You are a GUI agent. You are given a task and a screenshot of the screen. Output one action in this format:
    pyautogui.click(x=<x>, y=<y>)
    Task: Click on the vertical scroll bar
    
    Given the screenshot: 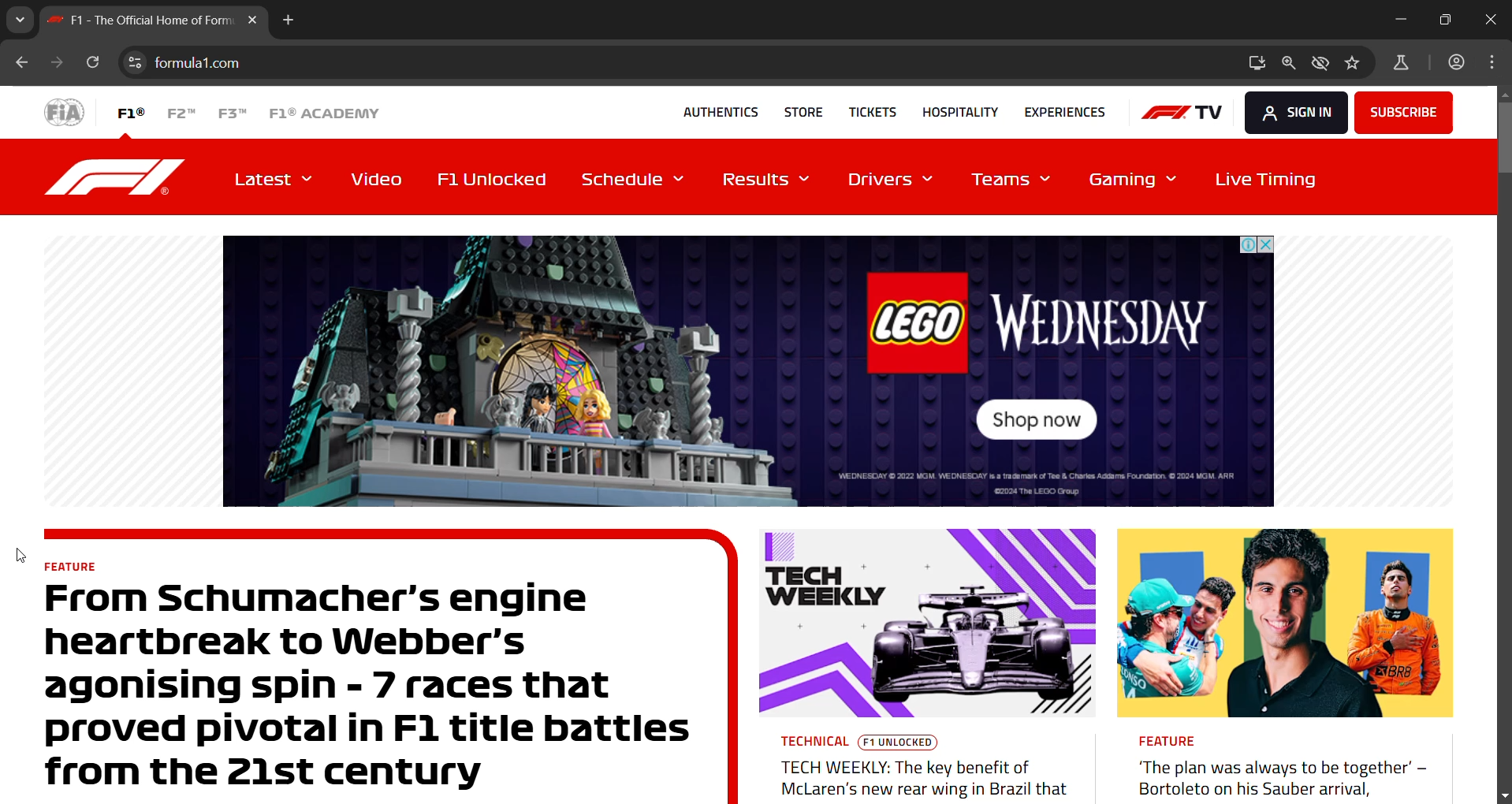 What is the action you would take?
    pyautogui.click(x=1503, y=135)
    